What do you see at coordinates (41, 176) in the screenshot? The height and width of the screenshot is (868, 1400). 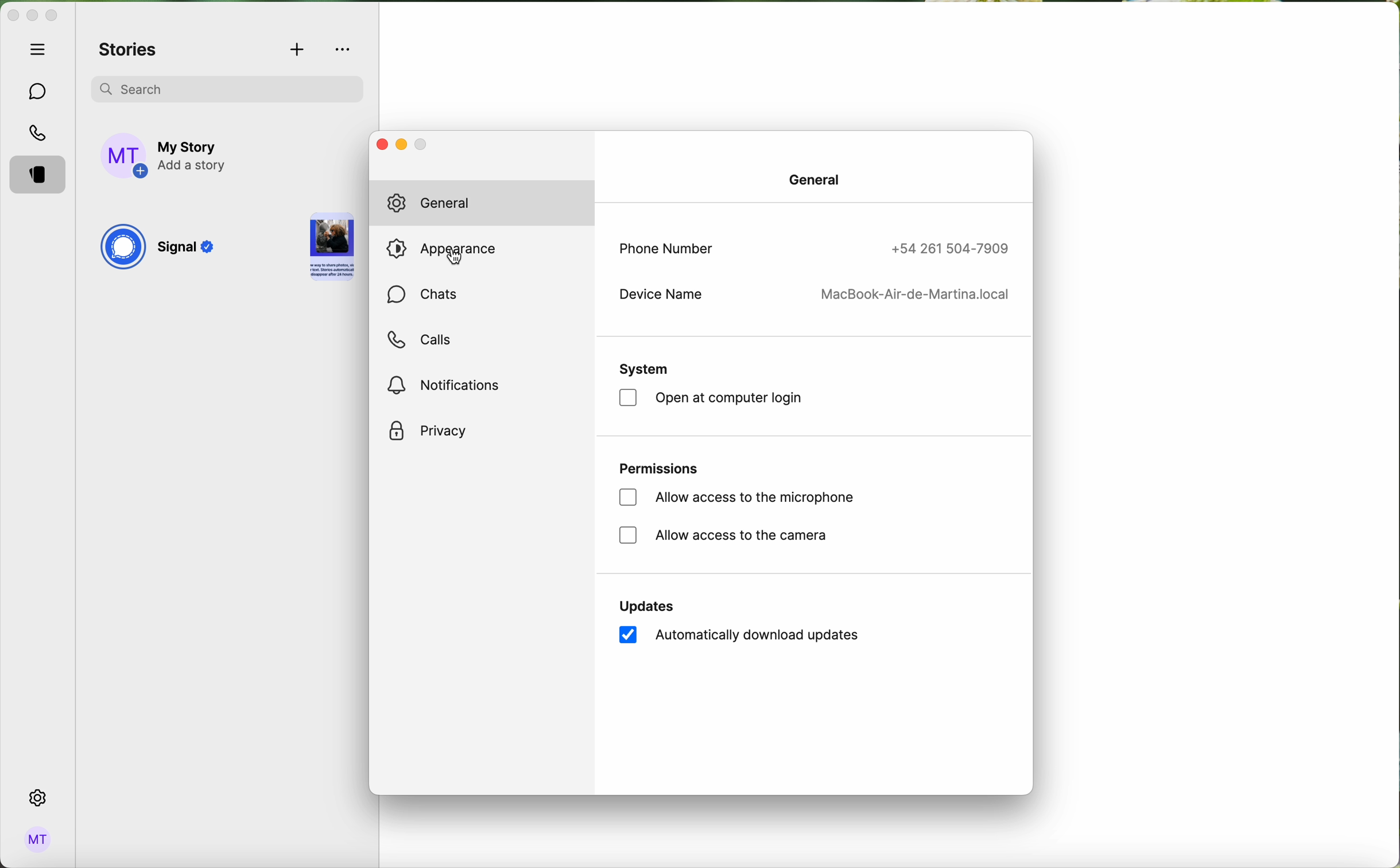 I see `stories` at bounding box center [41, 176].